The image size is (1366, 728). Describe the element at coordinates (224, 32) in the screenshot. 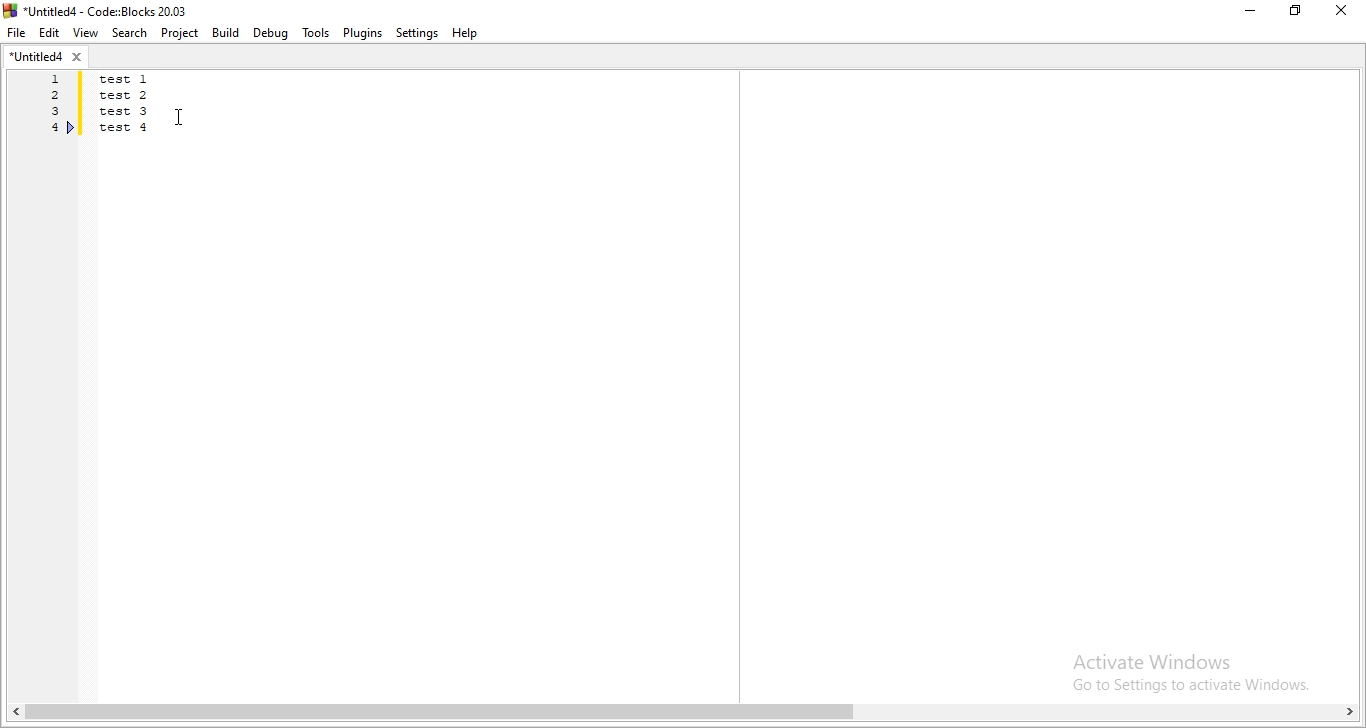

I see `Build ` at that location.